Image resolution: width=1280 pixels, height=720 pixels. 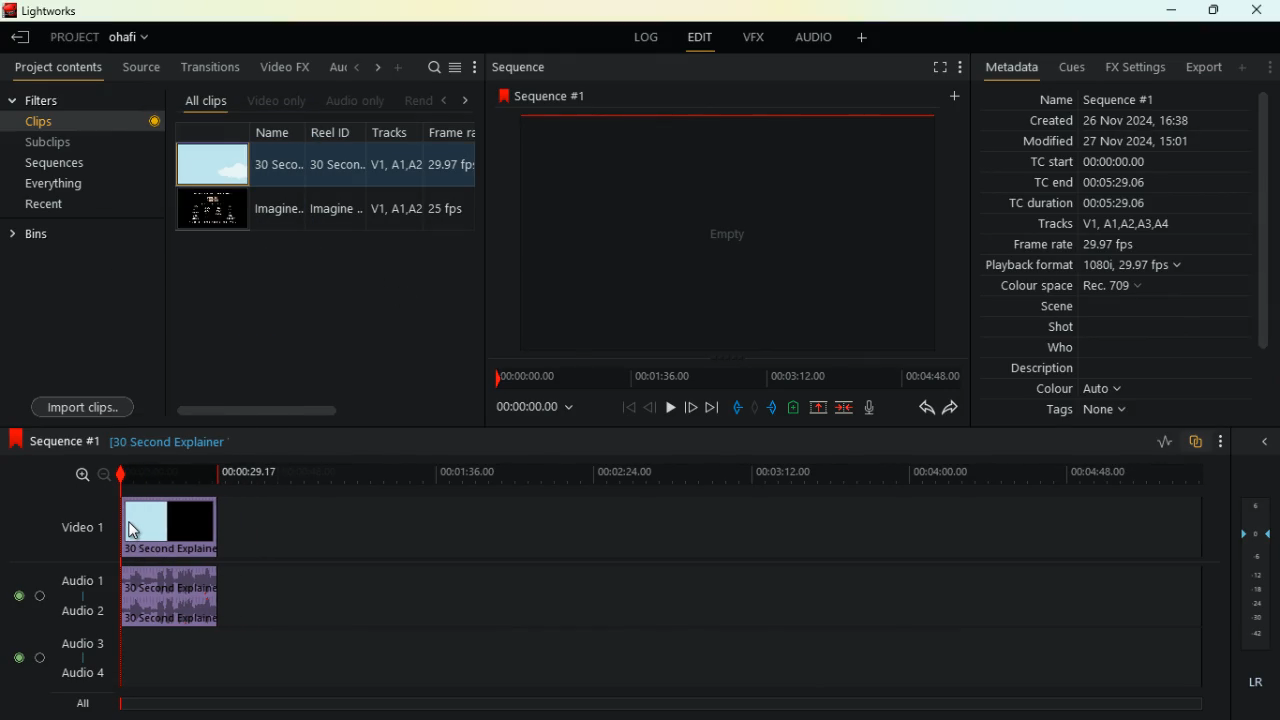 I want to click on source, so click(x=144, y=67).